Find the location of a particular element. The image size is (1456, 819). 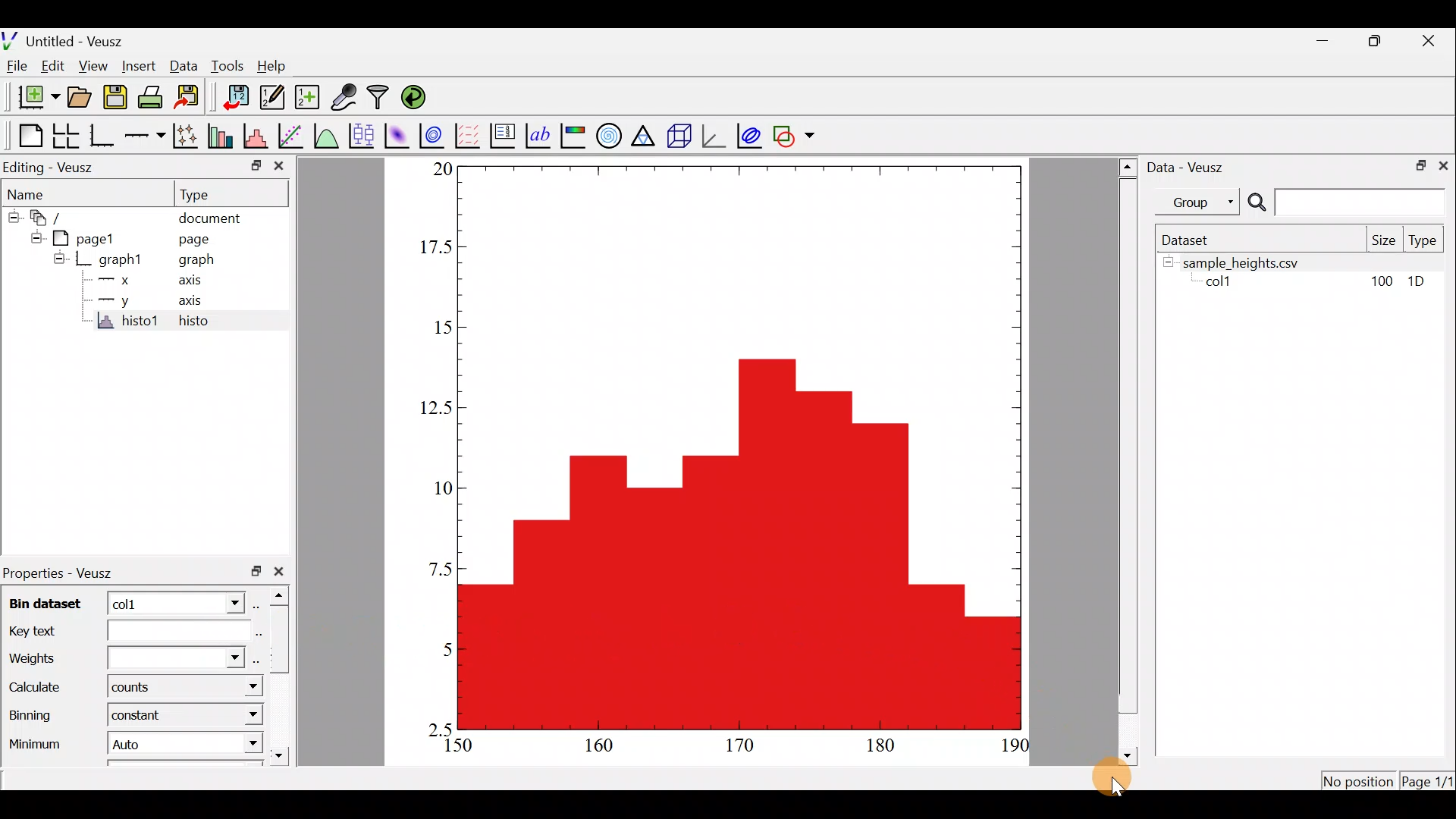

hide is located at coordinates (33, 237).